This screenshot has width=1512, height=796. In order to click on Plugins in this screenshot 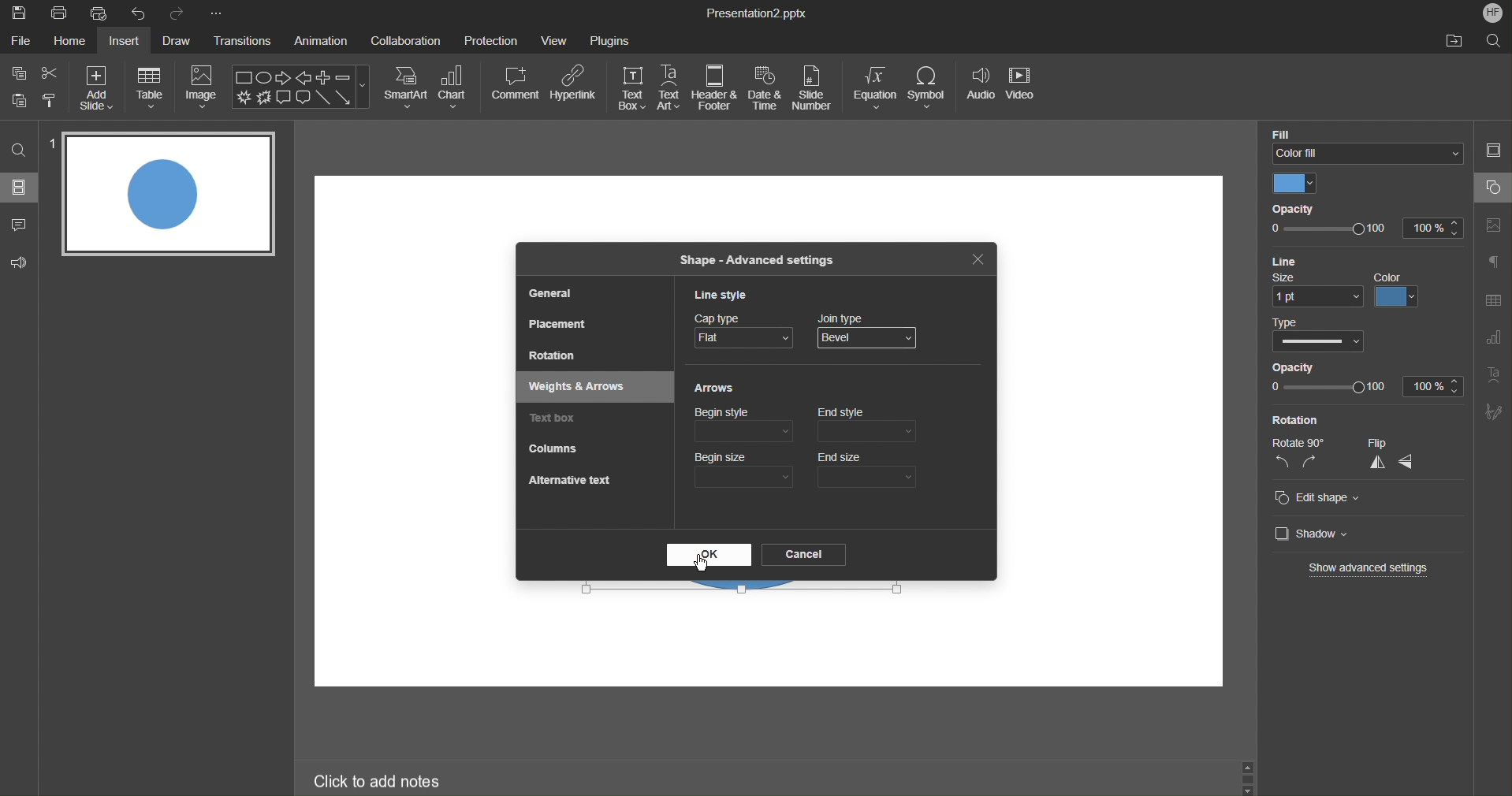, I will do `click(610, 38)`.